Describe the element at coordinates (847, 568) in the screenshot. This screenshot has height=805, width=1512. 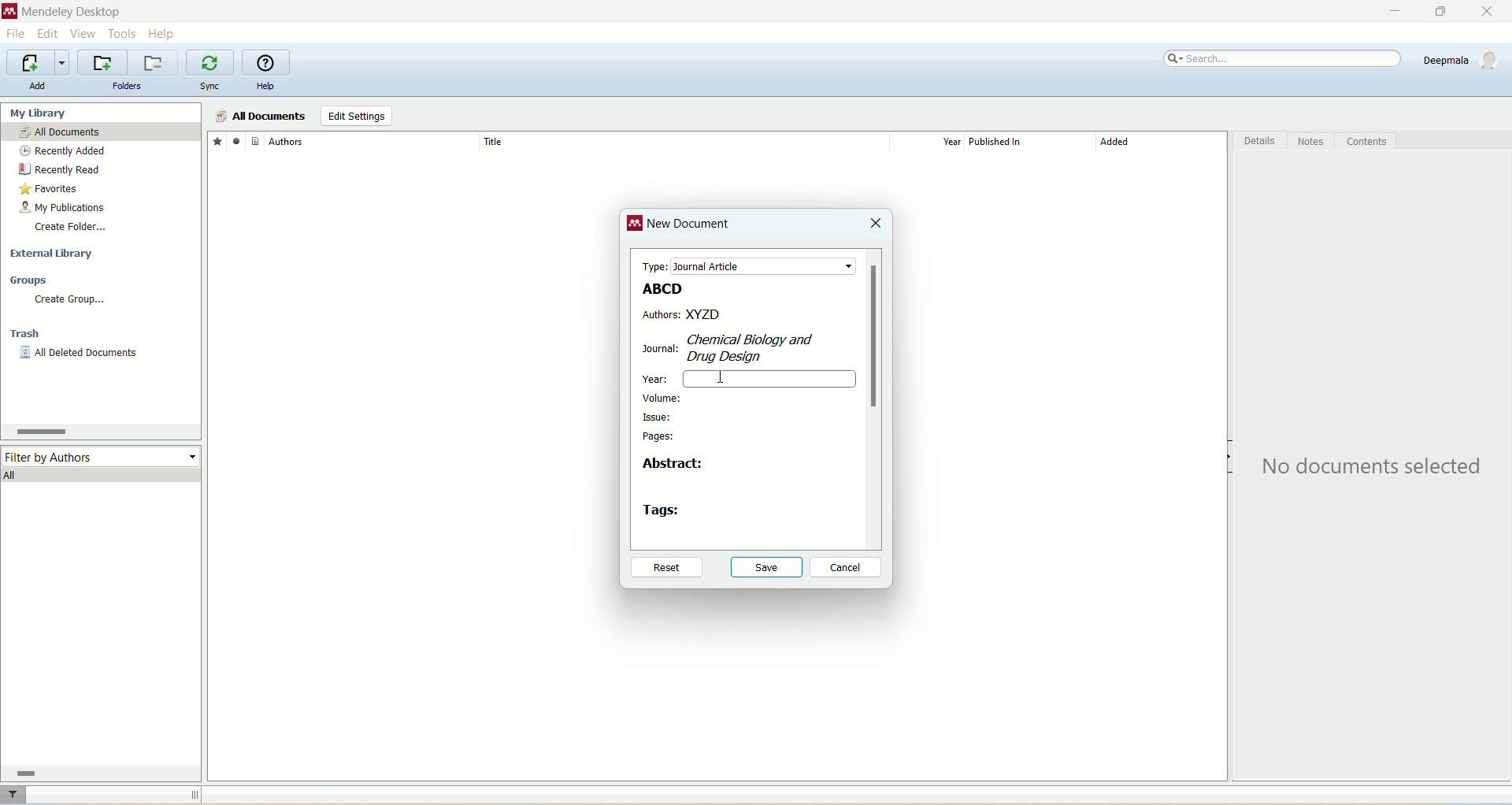
I see `cancel` at that location.